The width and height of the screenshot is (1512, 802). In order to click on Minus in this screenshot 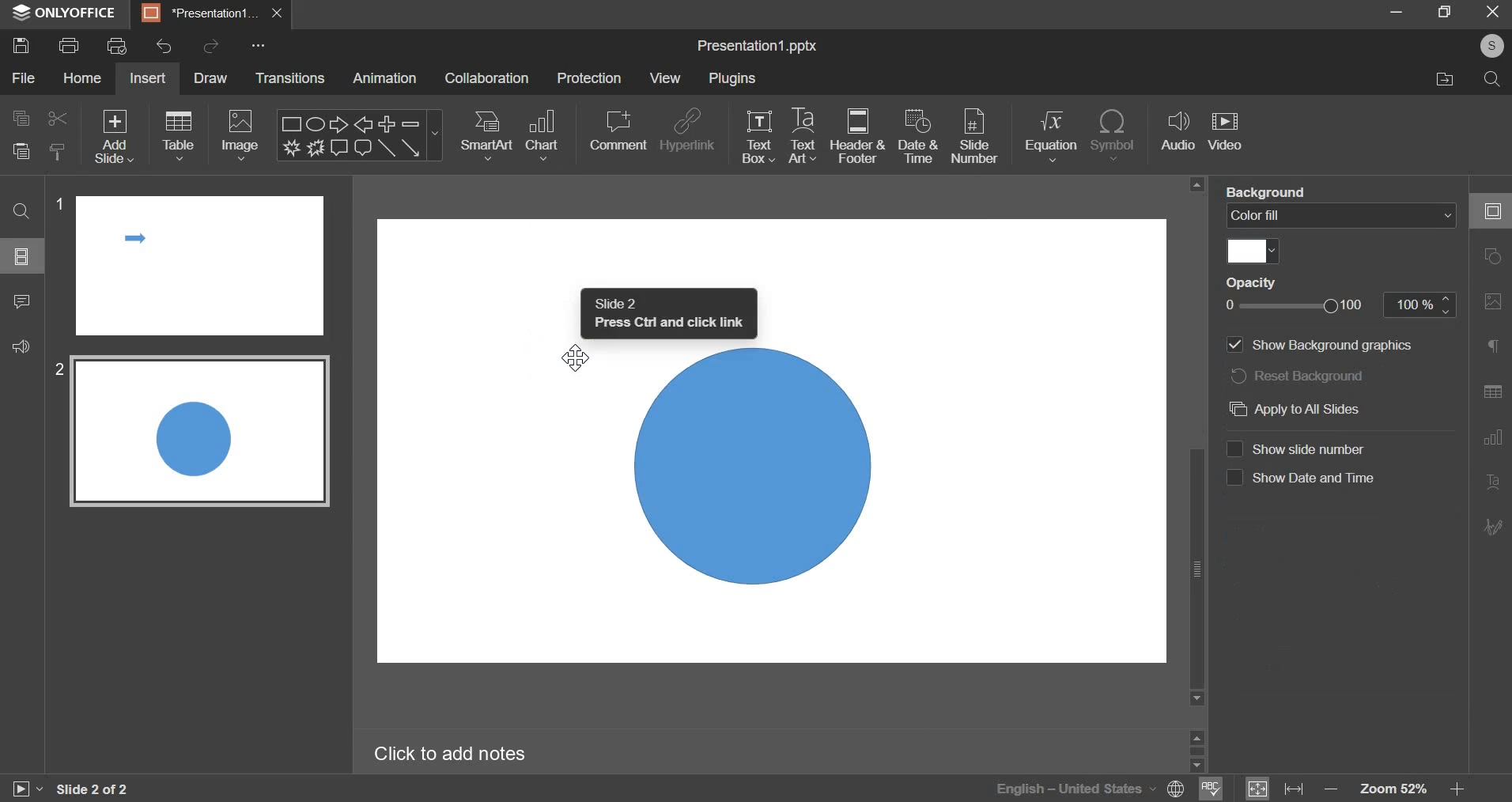, I will do `click(411, 123)`.